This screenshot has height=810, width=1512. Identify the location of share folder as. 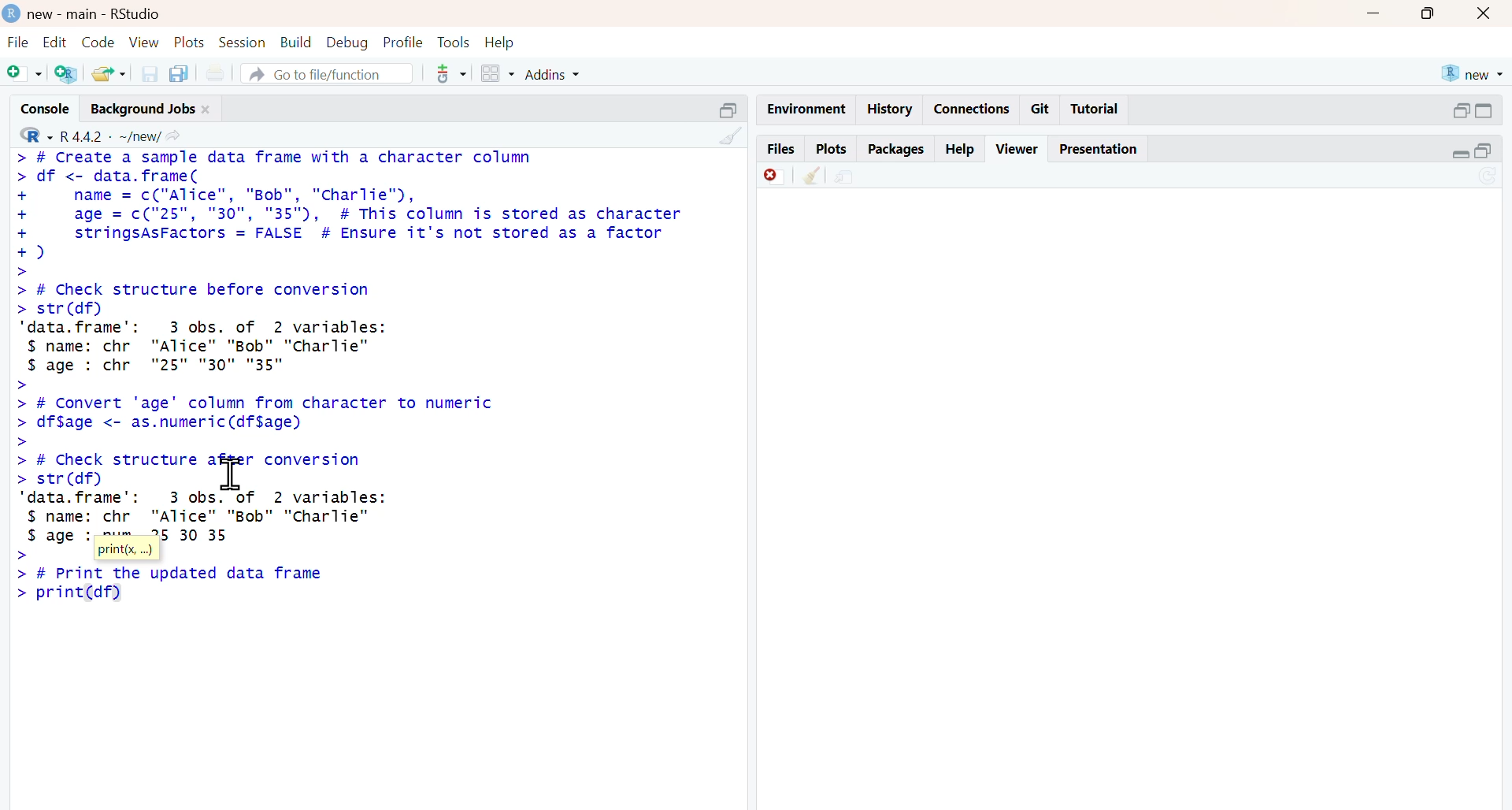
(111, 73).